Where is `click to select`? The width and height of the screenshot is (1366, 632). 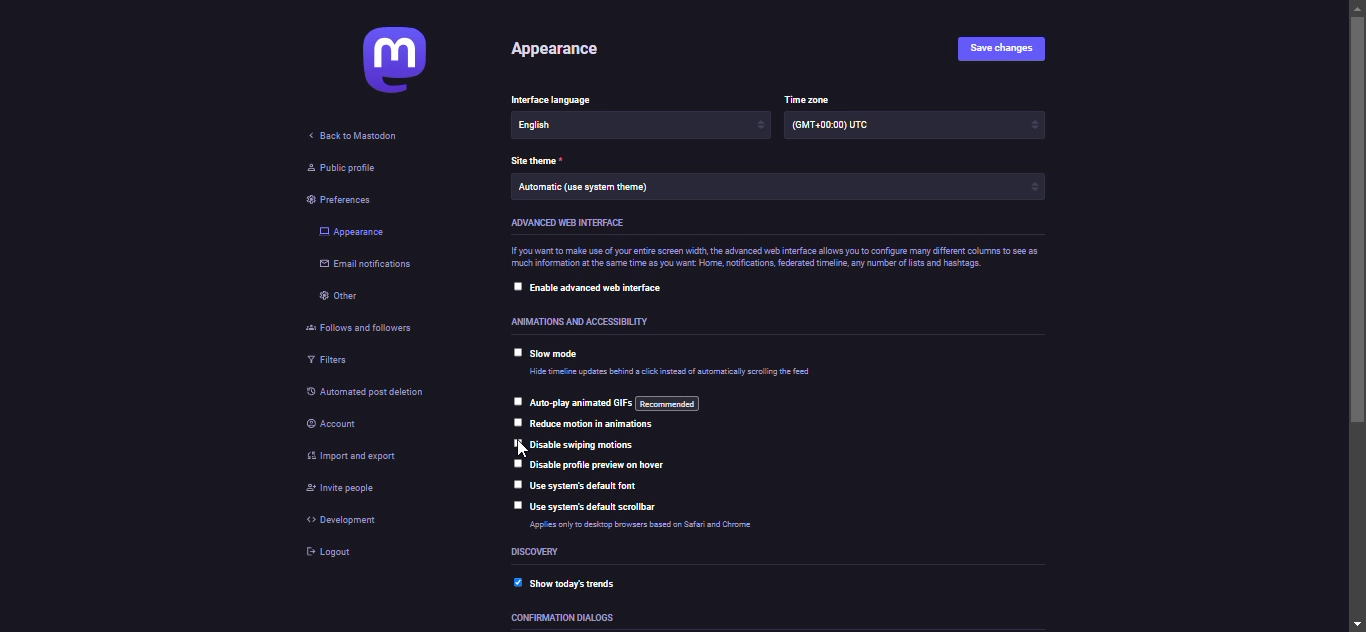
click to select is located at coordinates (517, 398).